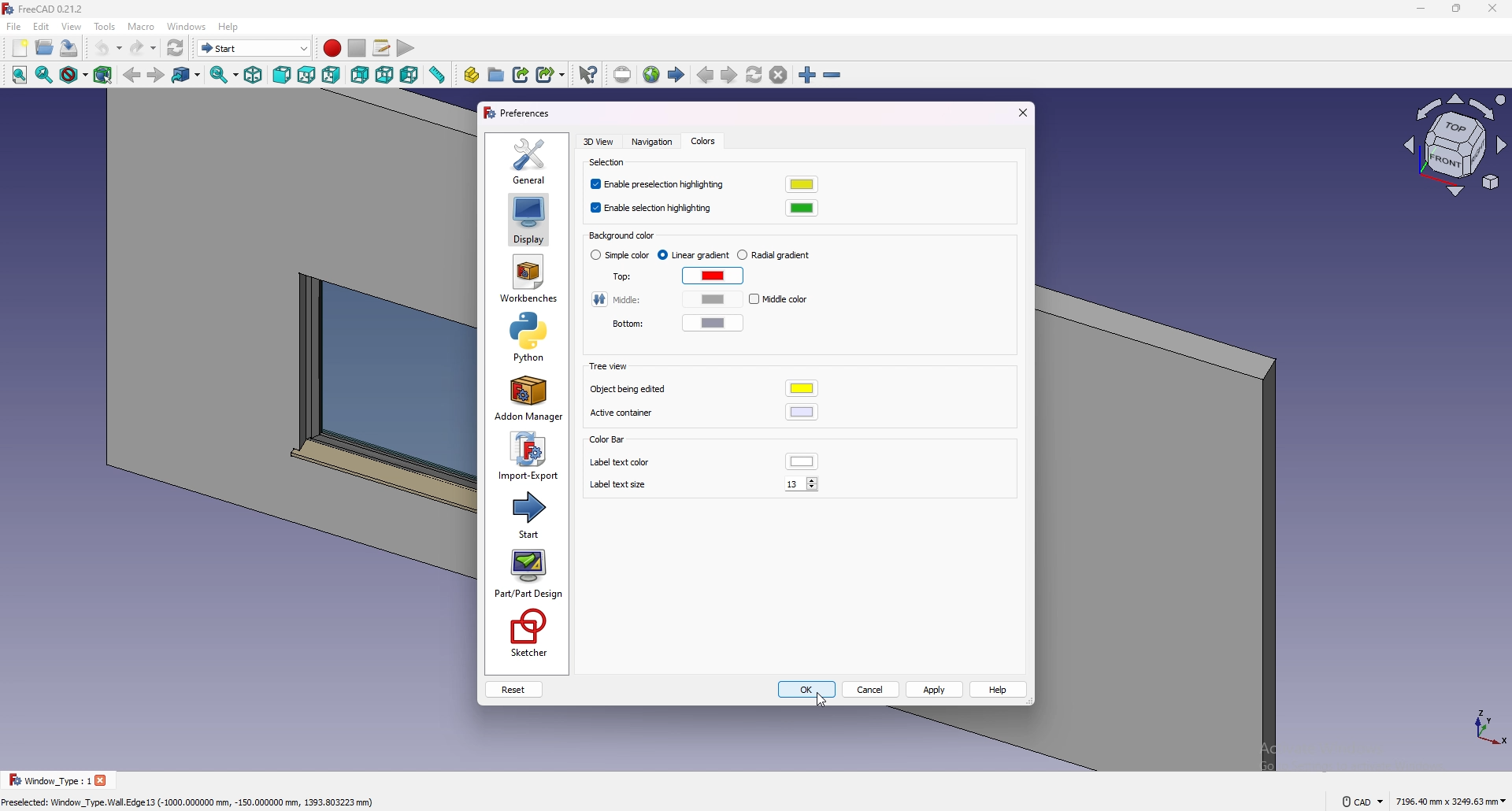  Describe the element at coordinates (143, 48) in the screenshot. I see `redo` at that location.